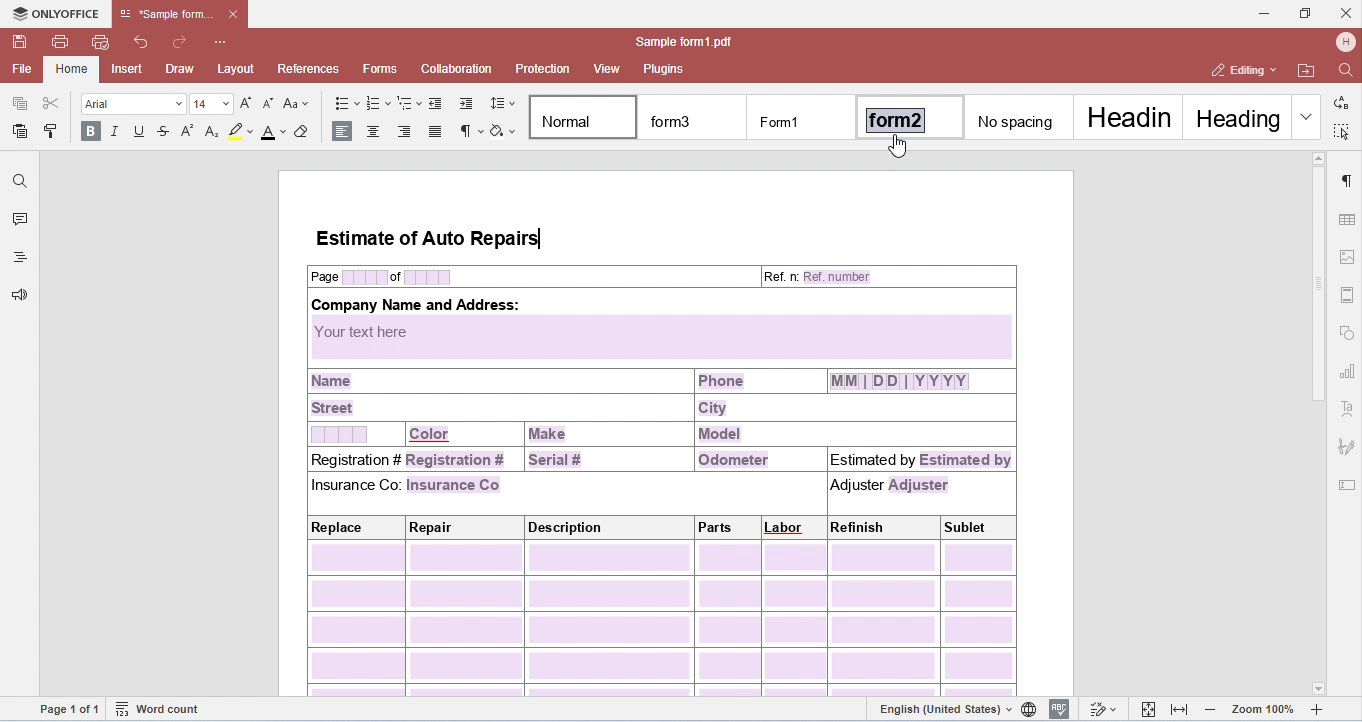 Image resolution: width=1362 pixels, height=722 pixels. I want to click on fit to page, so click(1150, 709).